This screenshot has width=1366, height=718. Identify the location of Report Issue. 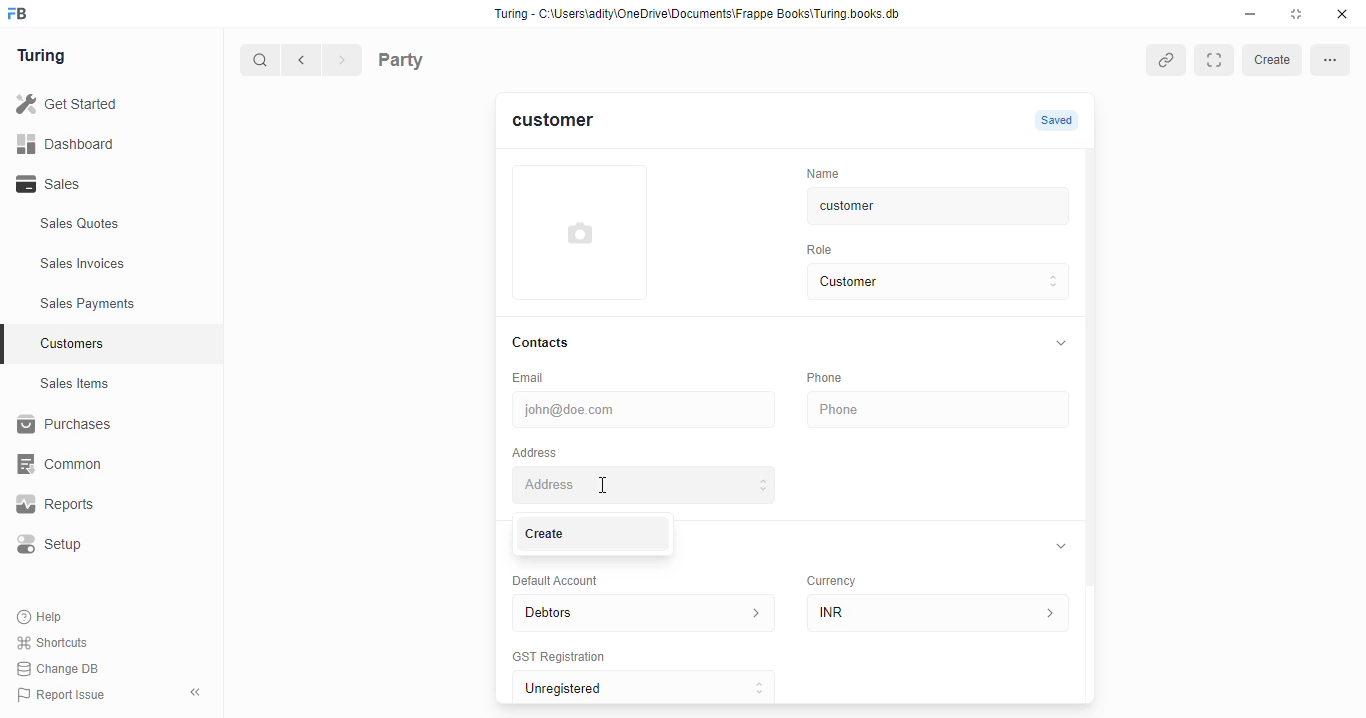
(65, 693).